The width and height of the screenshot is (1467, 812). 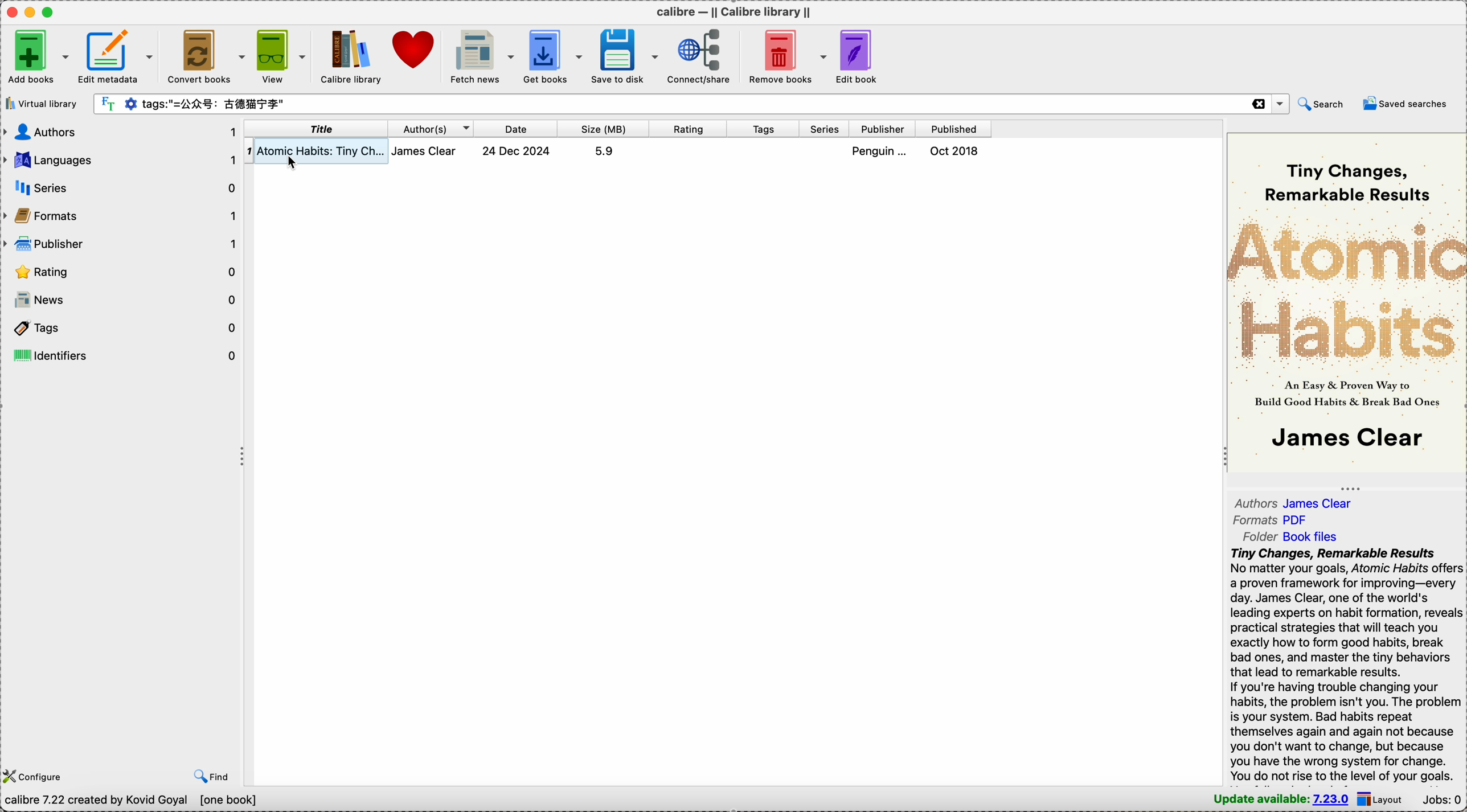 What do you see at coordinates (351, 56) in the screenshot?
I see `Calibre library` at bounding box center [351, 56].